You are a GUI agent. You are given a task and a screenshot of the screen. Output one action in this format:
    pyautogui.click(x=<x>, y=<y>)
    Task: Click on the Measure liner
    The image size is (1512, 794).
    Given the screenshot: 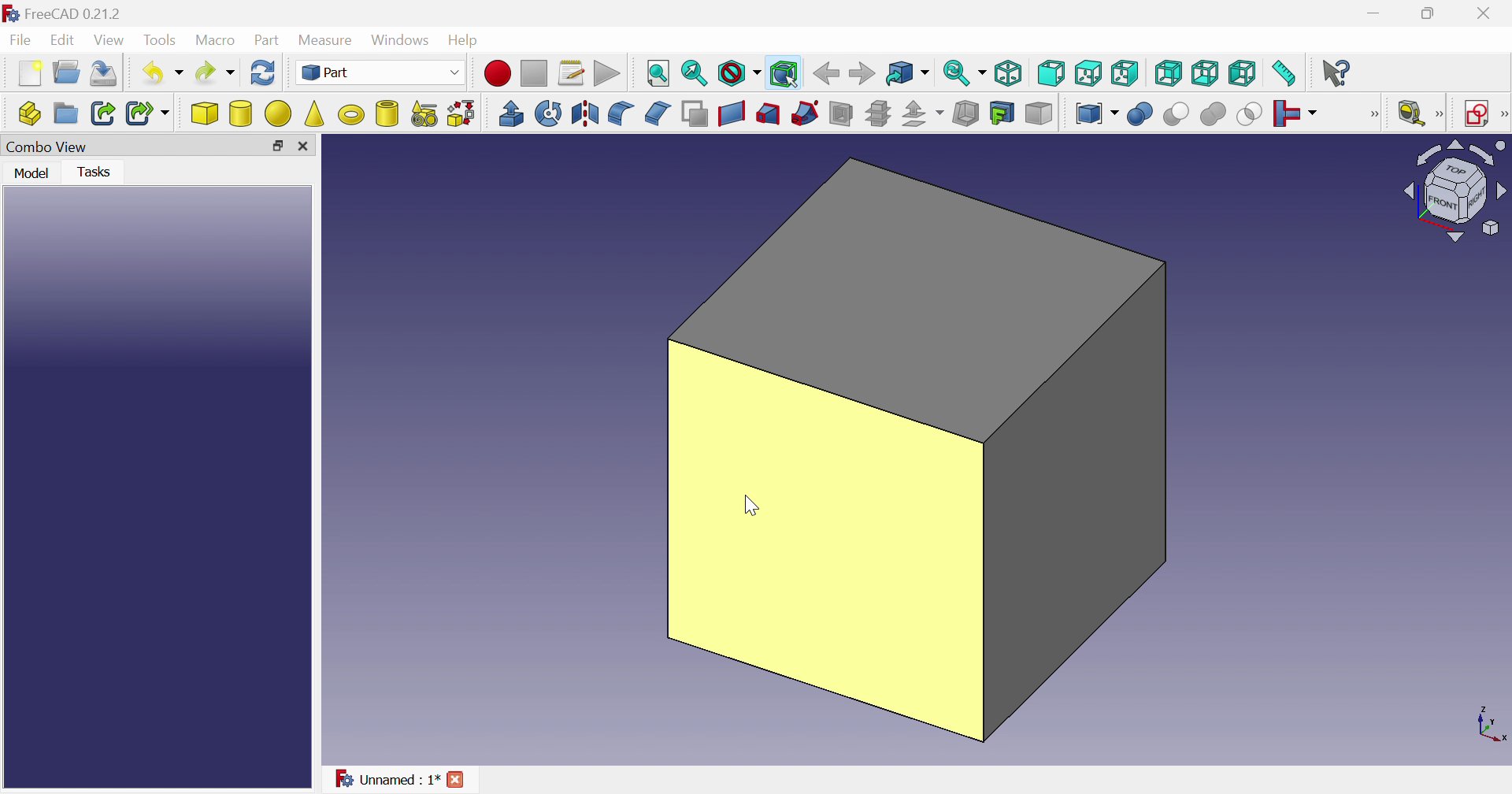 What is the action you would take?
    pyautogui.click(x=1410, y=114)
    